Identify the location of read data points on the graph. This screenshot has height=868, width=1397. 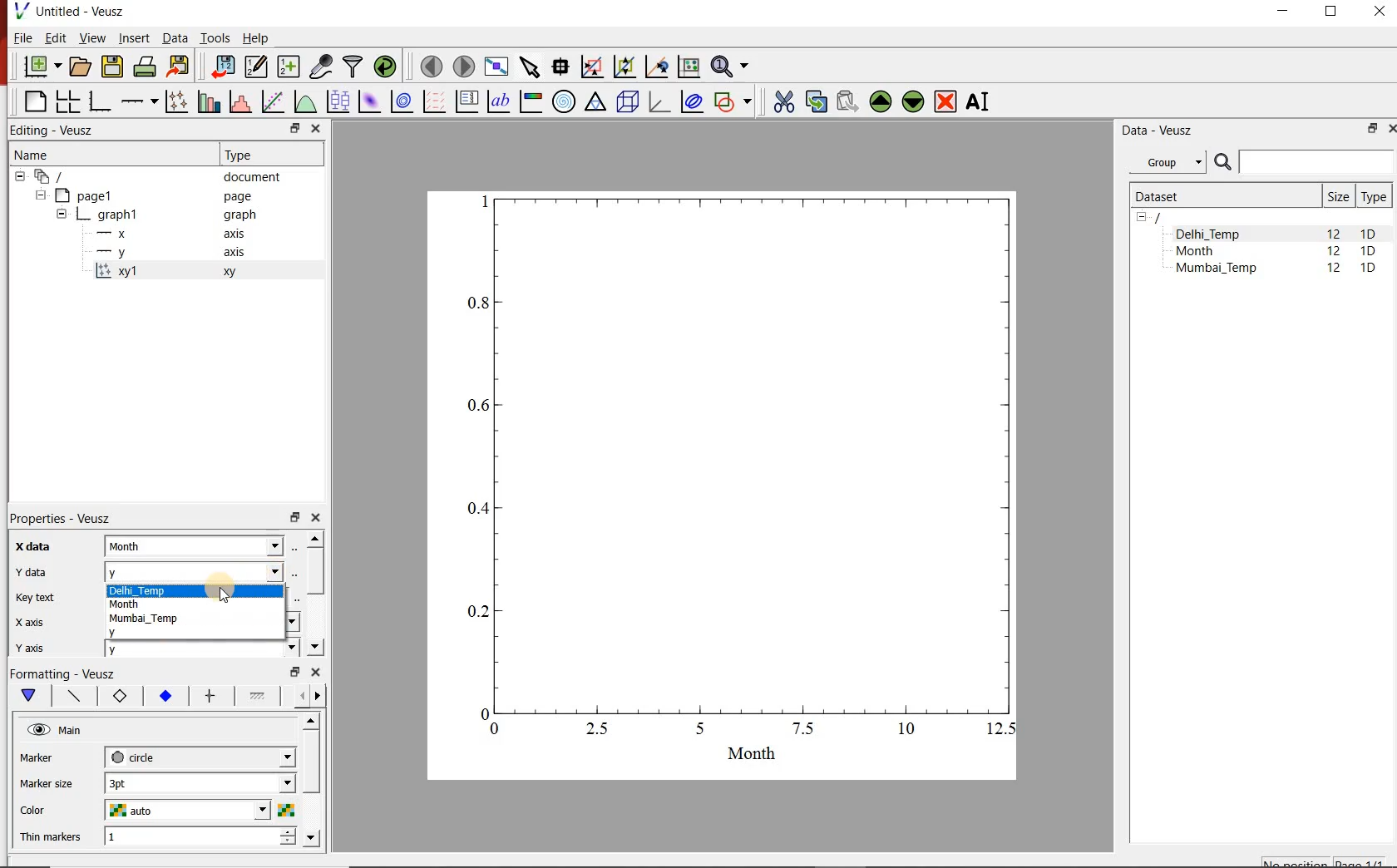
(560, 67).